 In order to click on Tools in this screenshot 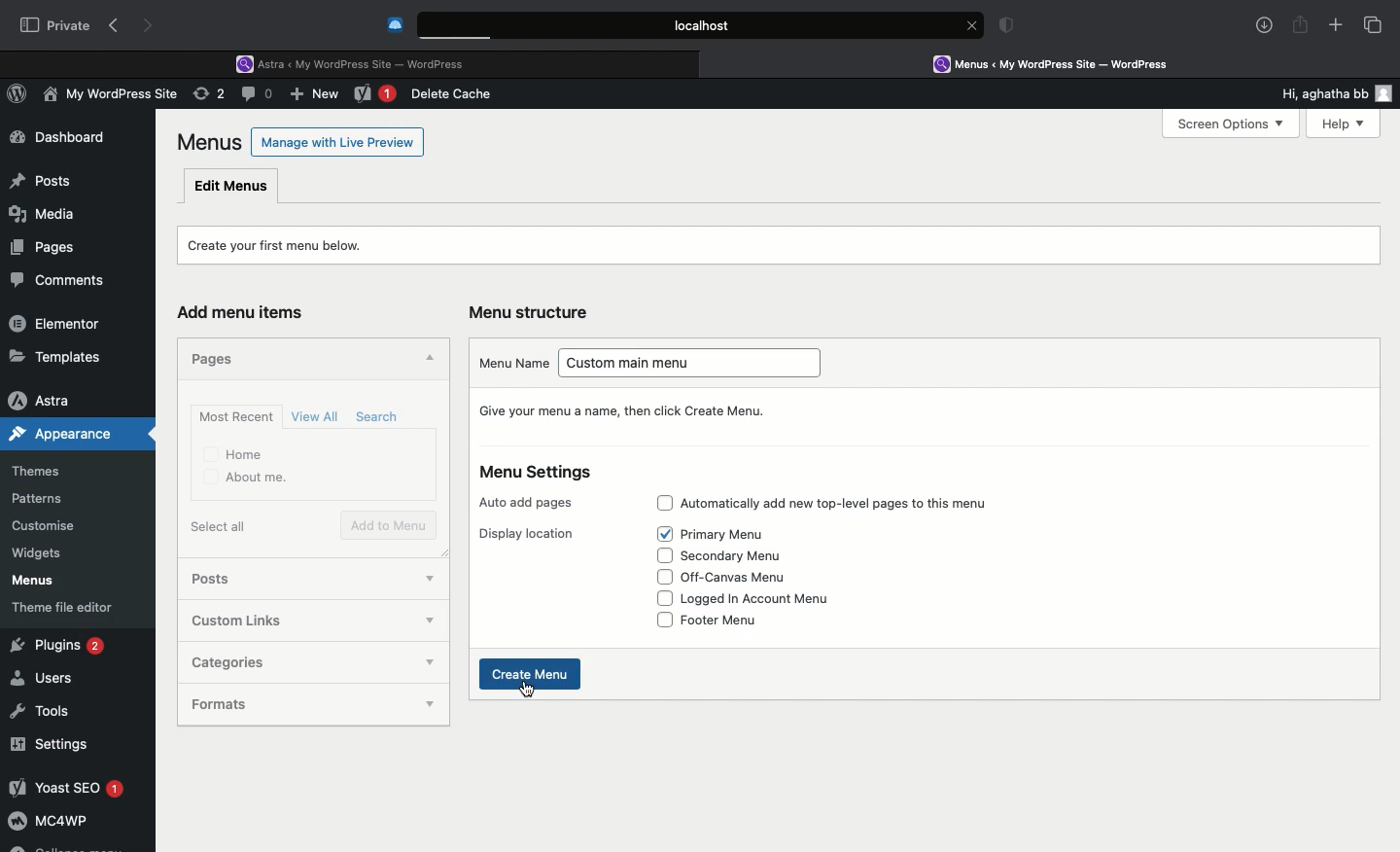, I will do `click(42, 708)`.